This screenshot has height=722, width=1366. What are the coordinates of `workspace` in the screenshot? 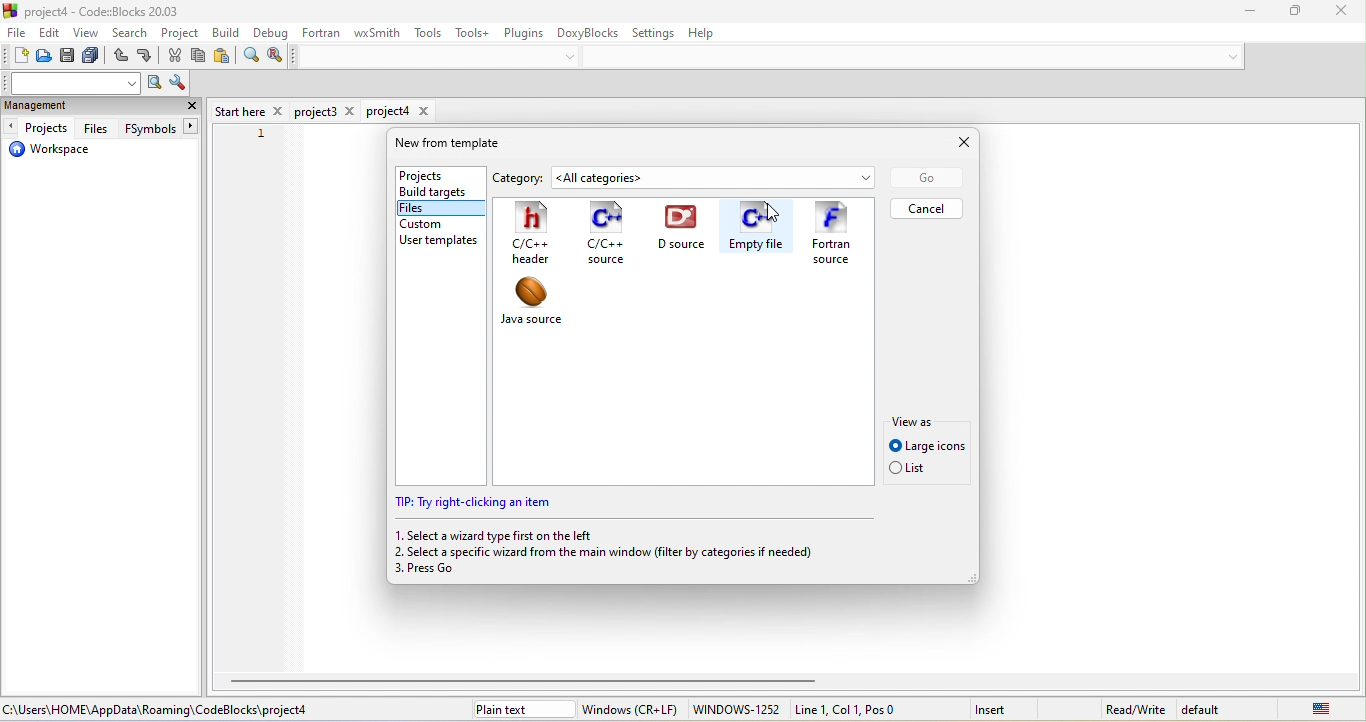 It's located at (50, 152).